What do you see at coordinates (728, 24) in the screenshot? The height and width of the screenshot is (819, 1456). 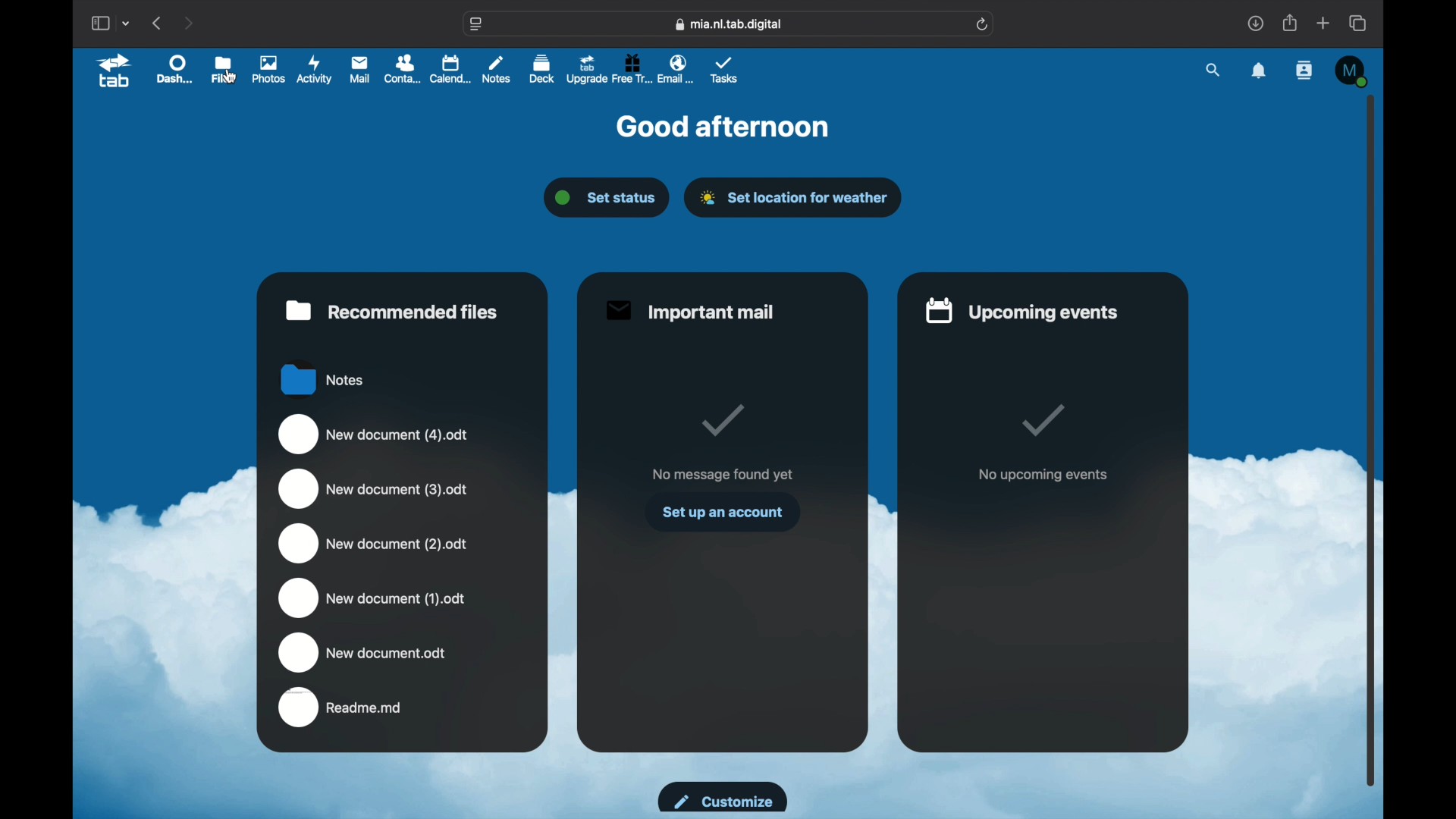 I see `web address` at bounding box center [728, 24].